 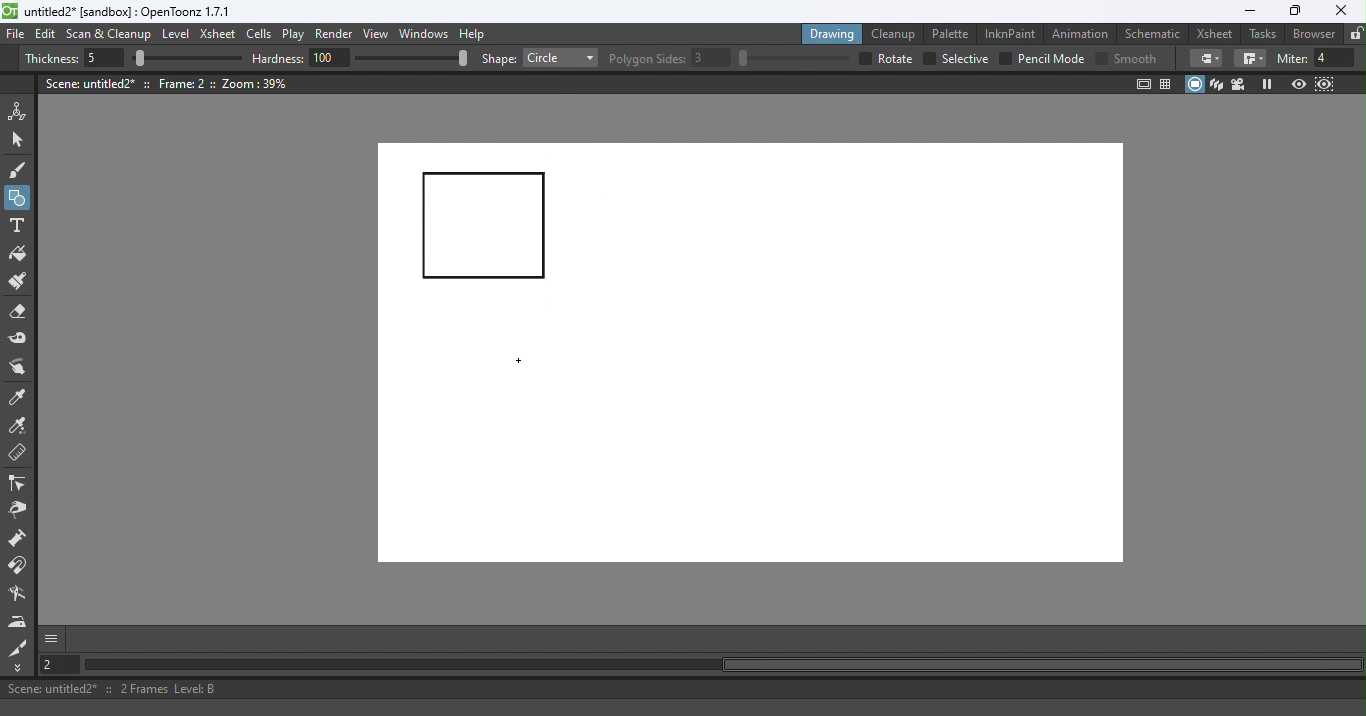 What do you see at coordinates (560, 58) in the screenshot?
I see `Rectangle ` at bounding box center [560, 58].